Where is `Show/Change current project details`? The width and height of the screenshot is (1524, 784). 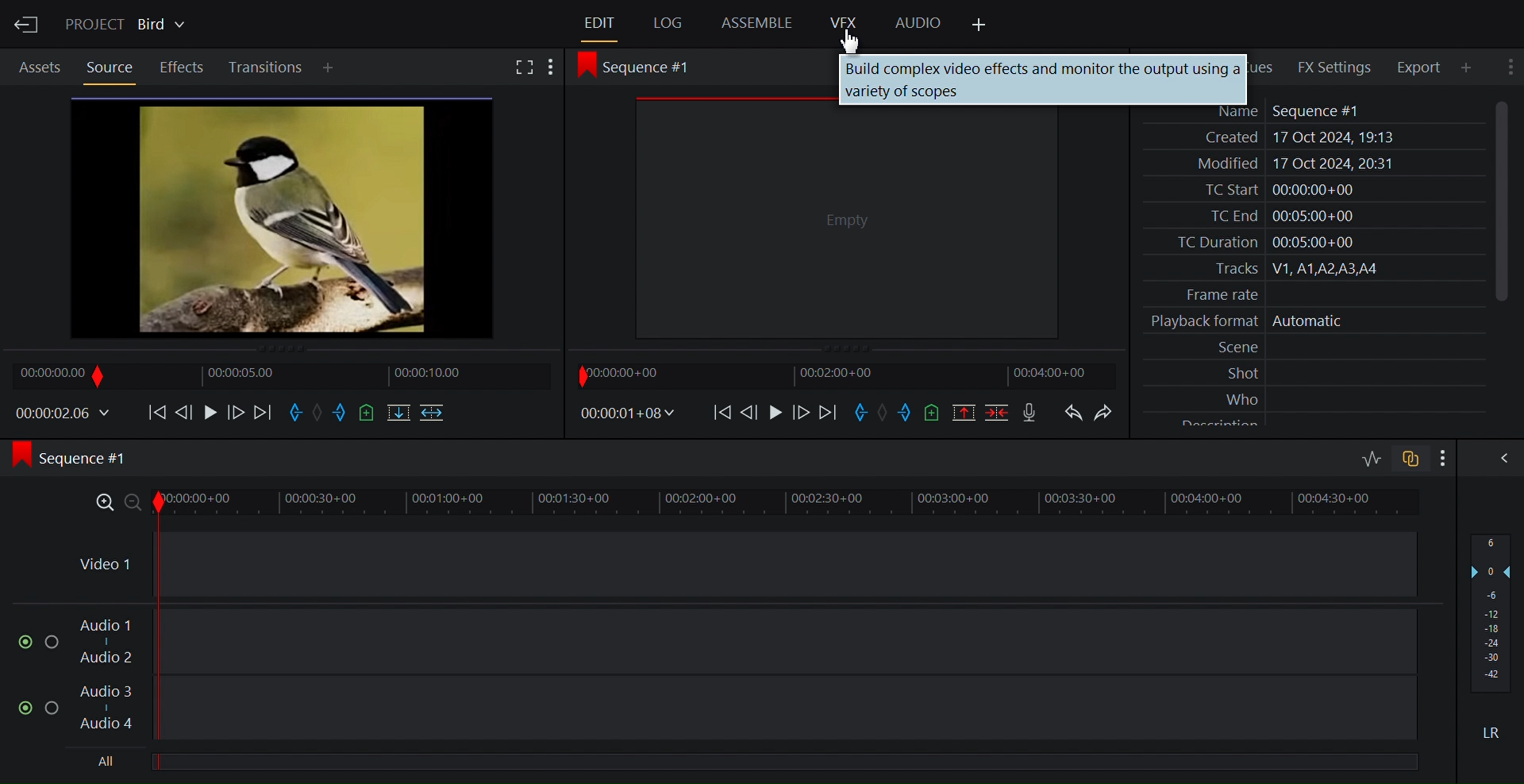 Show/Change current project details is located at coordinates (128, 22).